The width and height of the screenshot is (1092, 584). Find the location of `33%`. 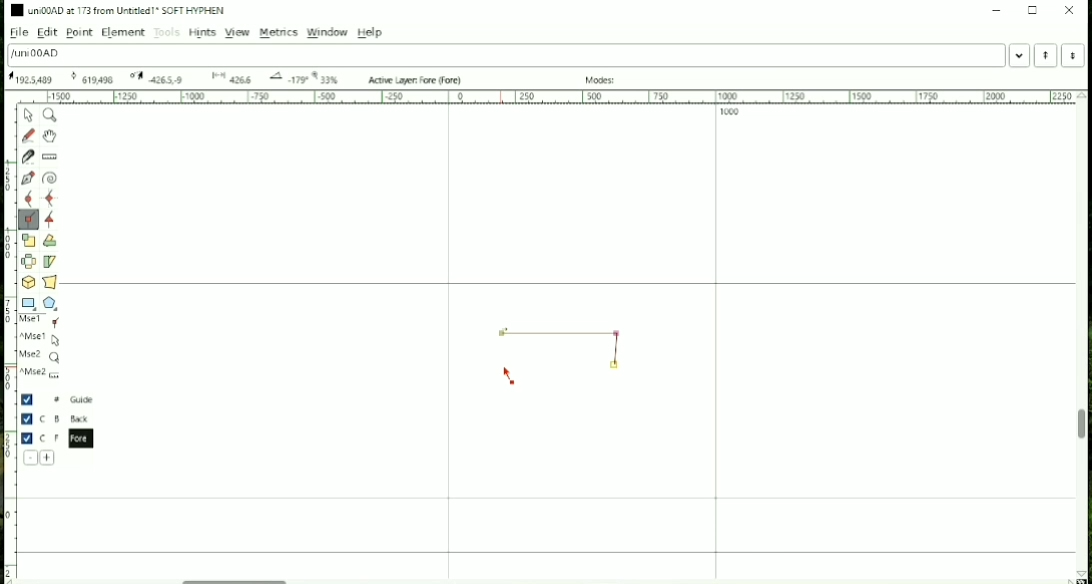

33% is located at coordinates (328, 77).